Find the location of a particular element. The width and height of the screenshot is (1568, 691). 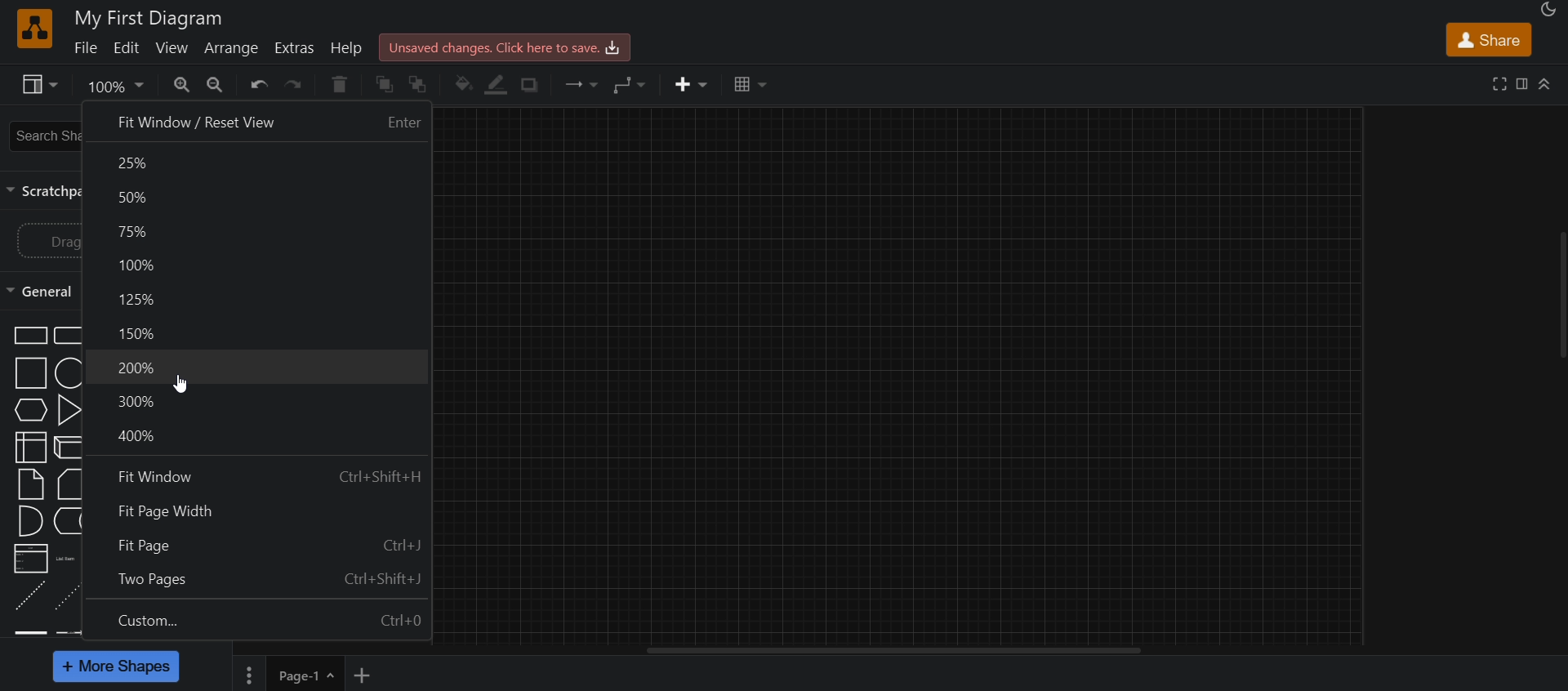

cursor is located at coordinates (180, 385).